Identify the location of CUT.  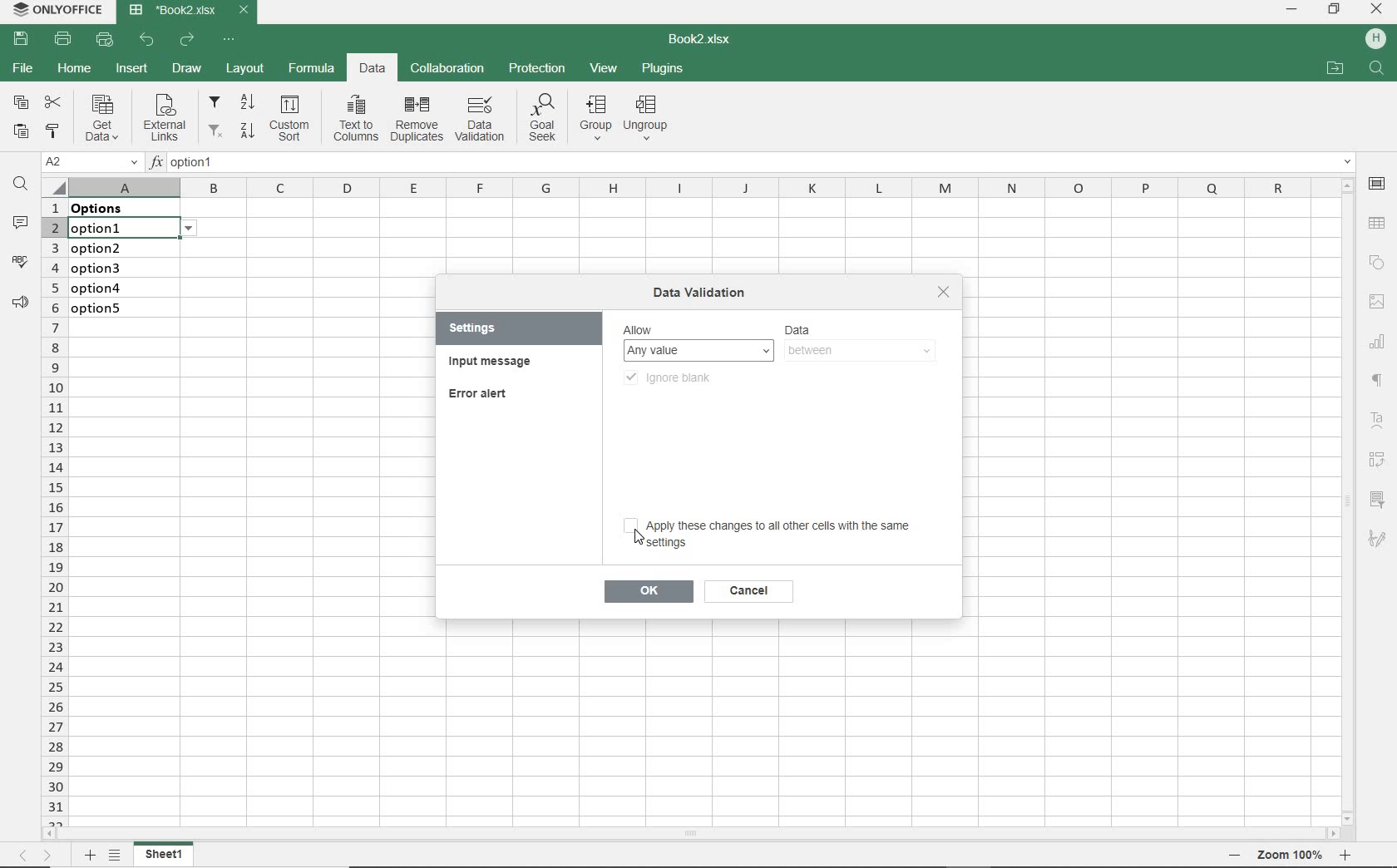
(52, 101).